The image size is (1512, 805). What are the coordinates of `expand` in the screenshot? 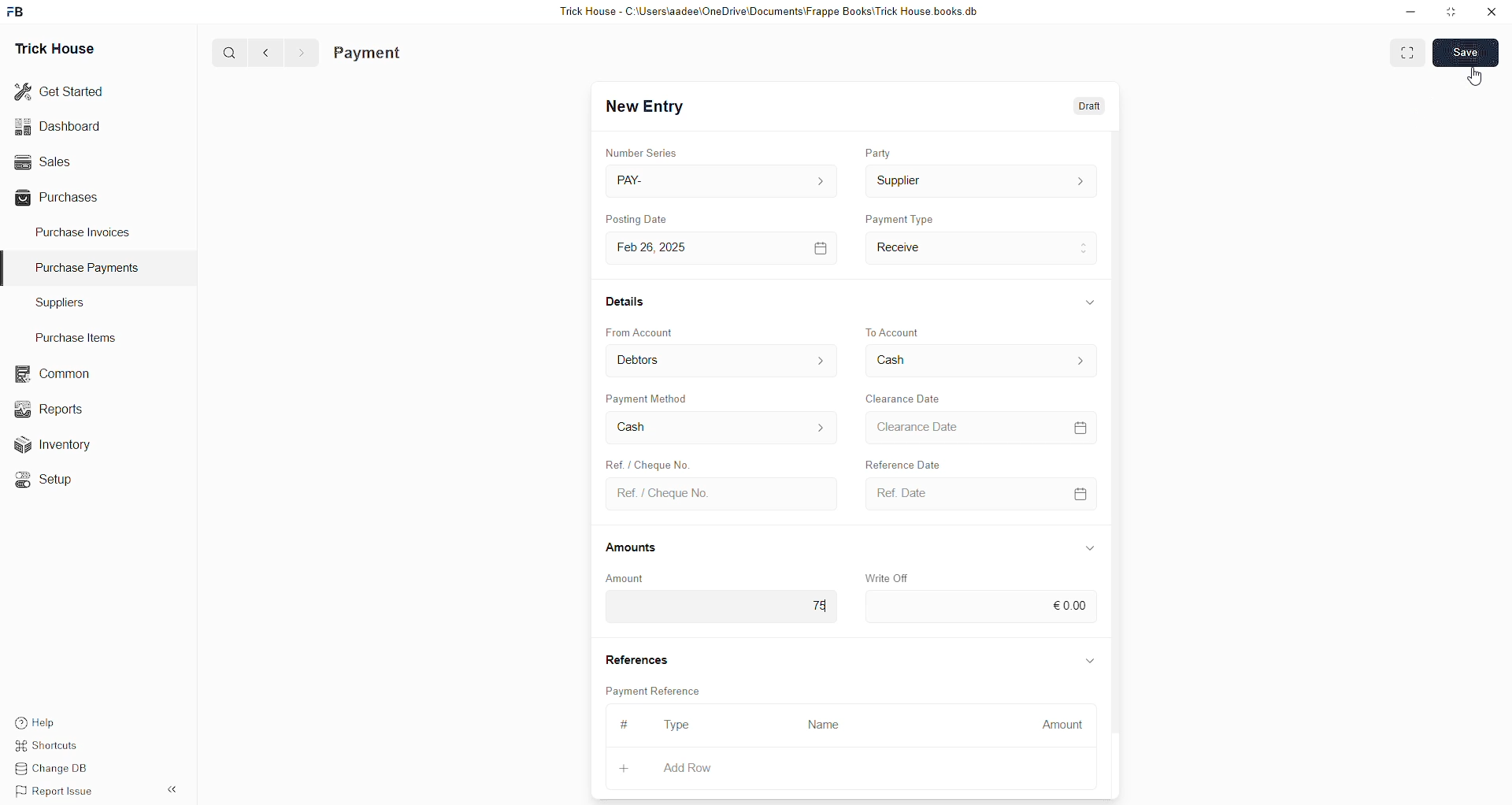 It's located at (175, 789).